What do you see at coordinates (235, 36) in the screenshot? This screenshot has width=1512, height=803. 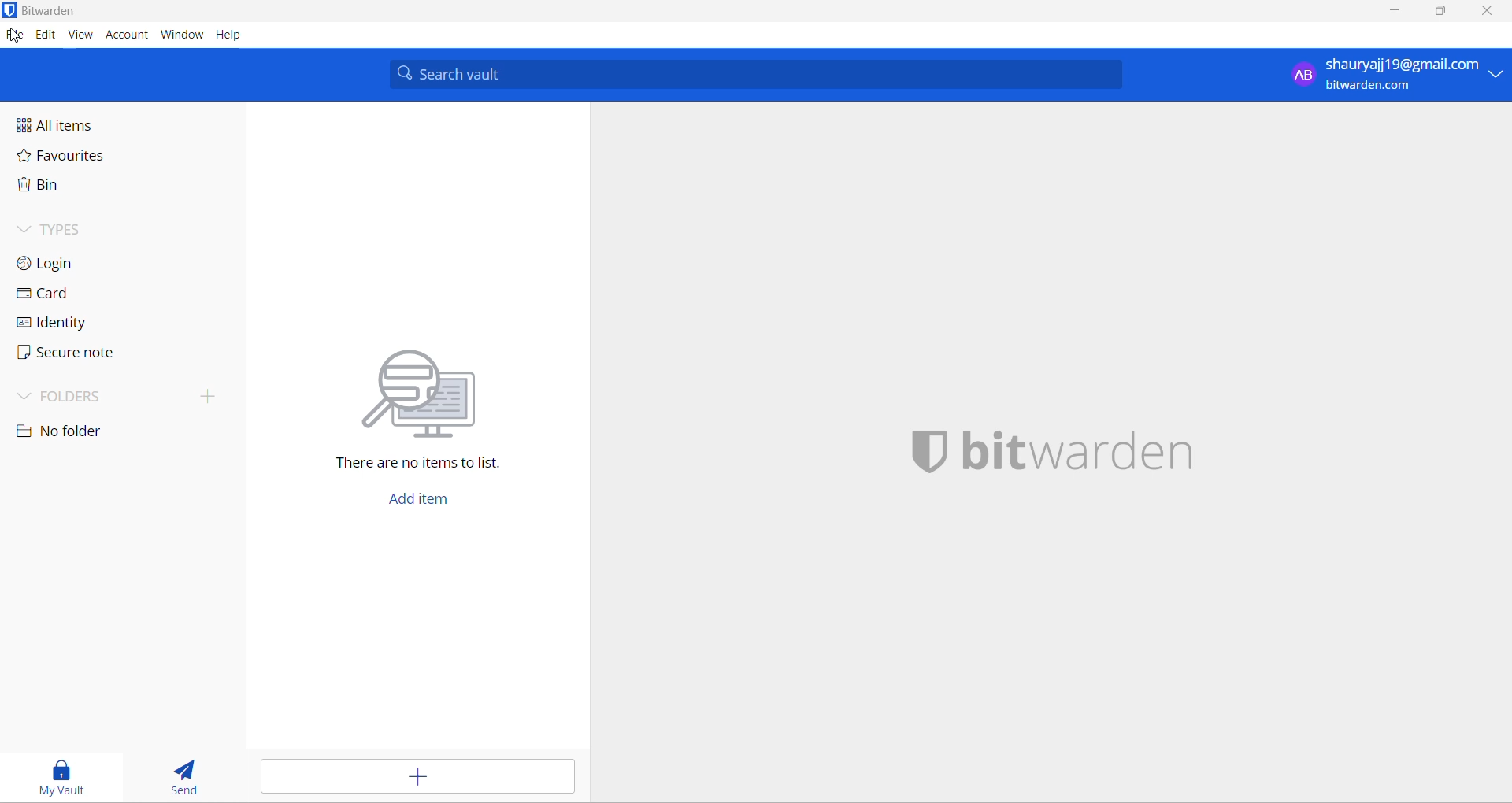 I see `help` at bounding box center [235, 36].